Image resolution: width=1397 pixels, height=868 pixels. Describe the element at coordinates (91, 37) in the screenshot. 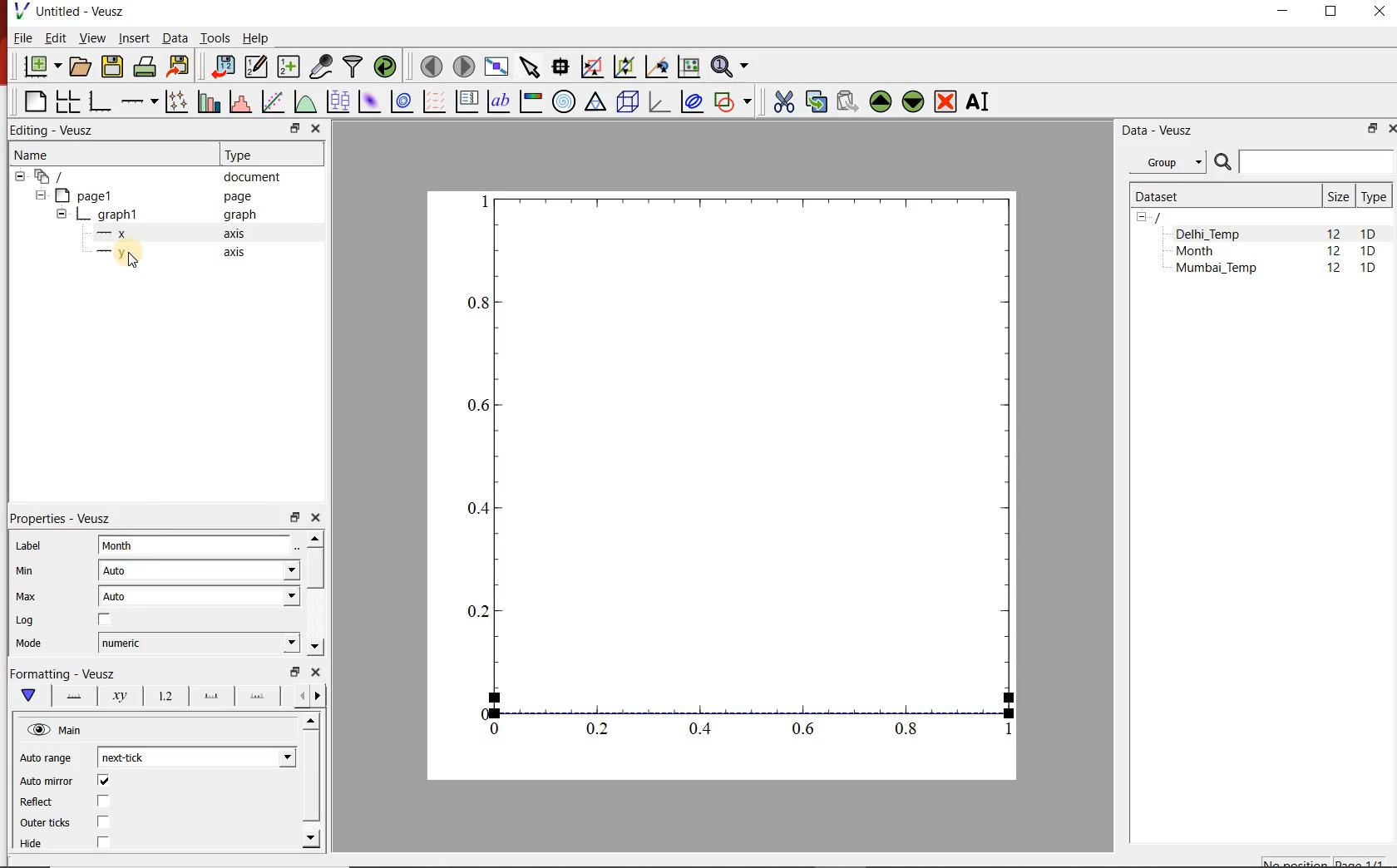

I see `View` at that location.